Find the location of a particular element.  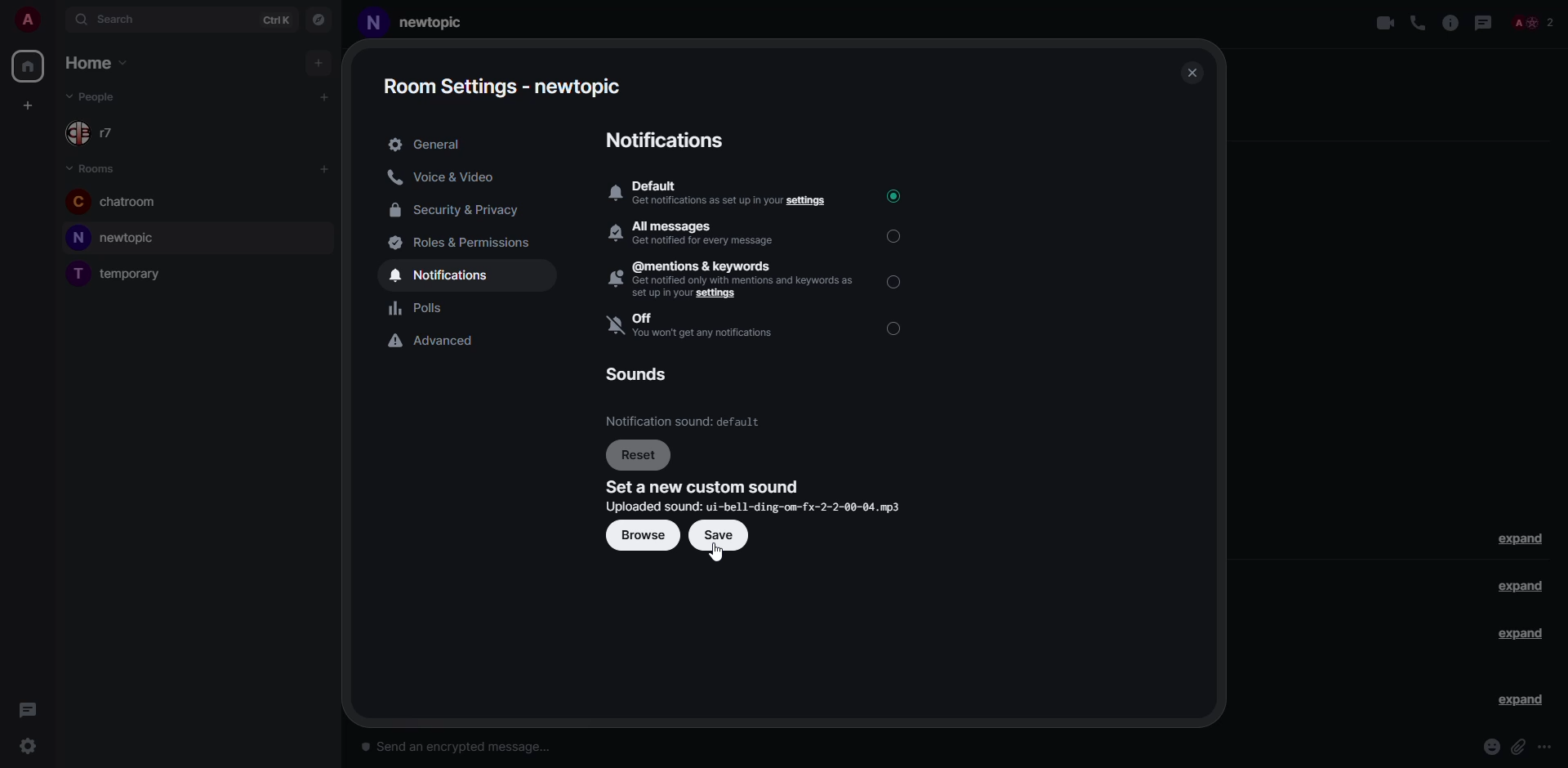

select is located at coordinates (898, 235).